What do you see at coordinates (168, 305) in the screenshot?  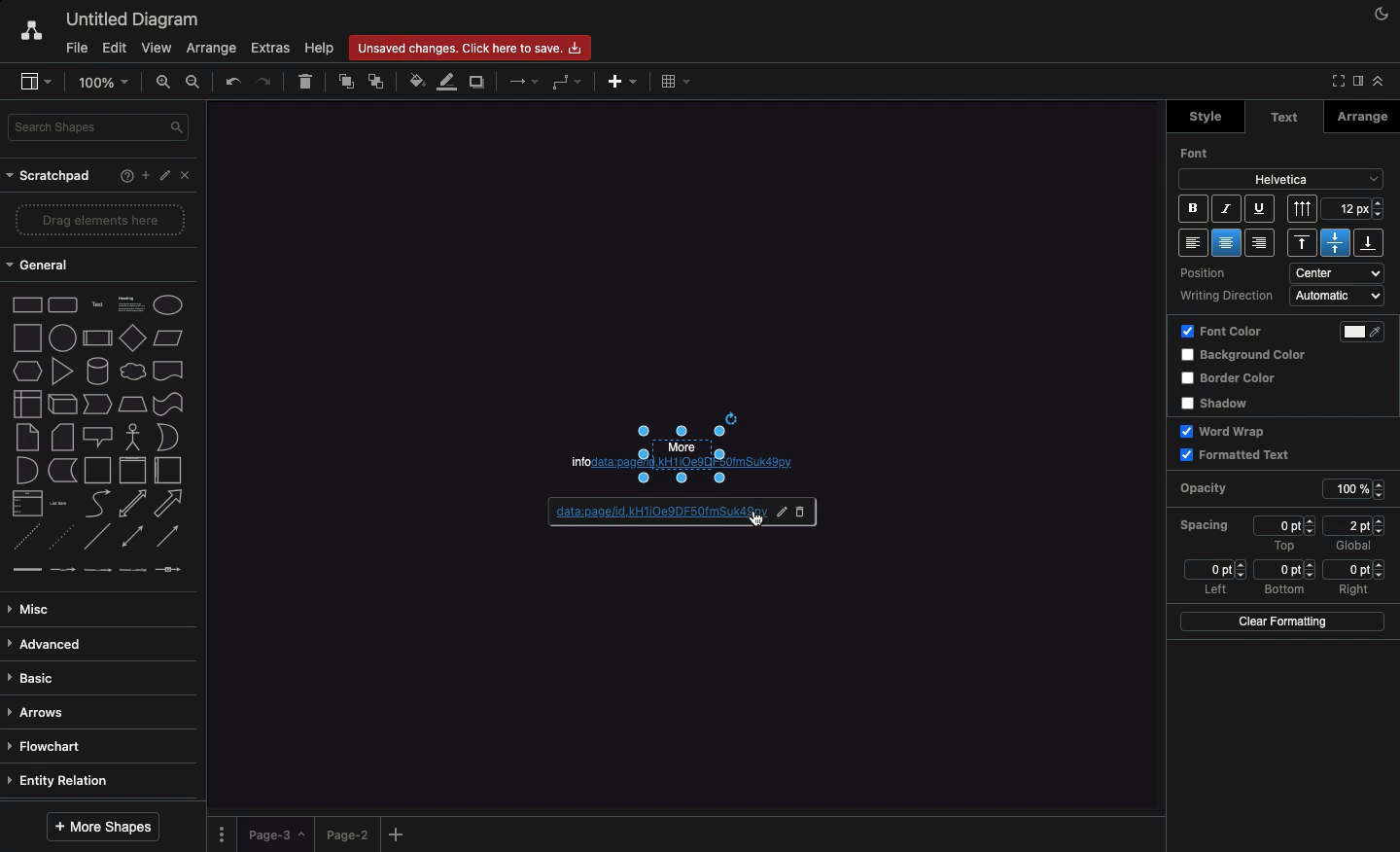 I see `Ellipse` at bounding box center [168, 305].